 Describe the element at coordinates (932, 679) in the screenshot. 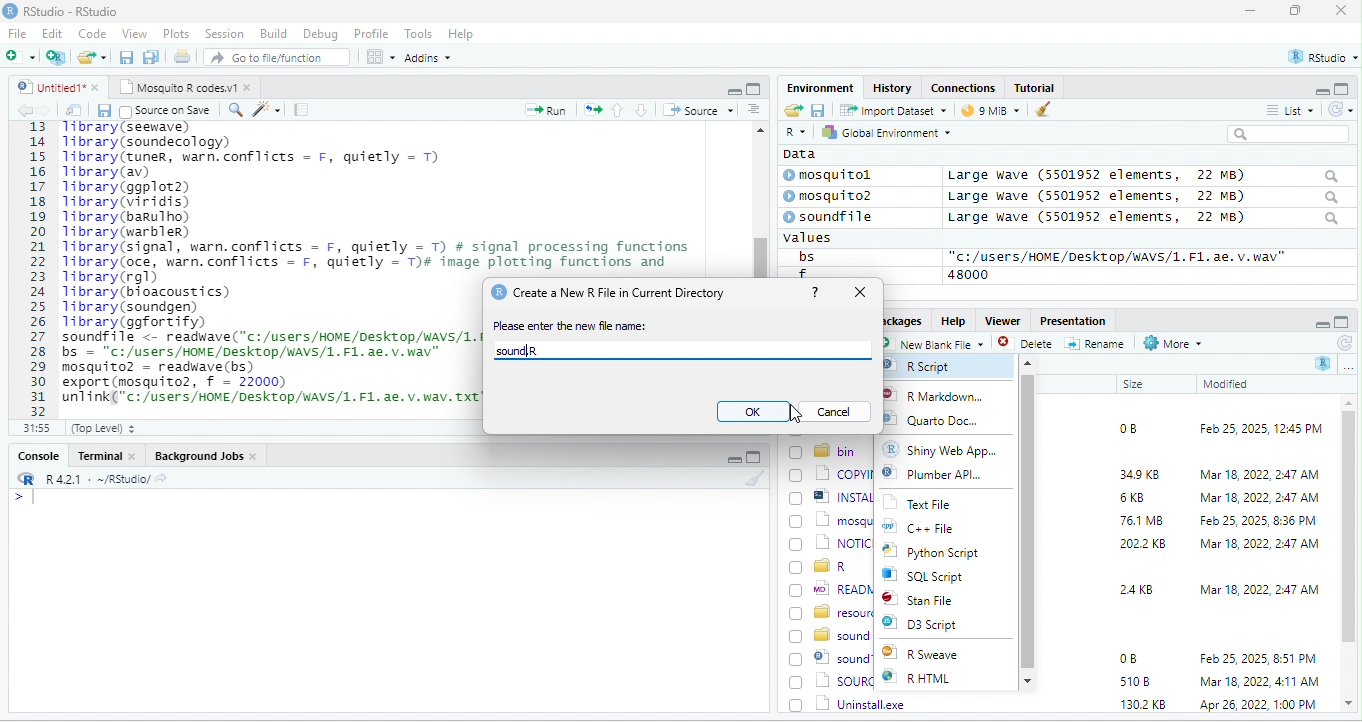

I see `RHTML` at that location.